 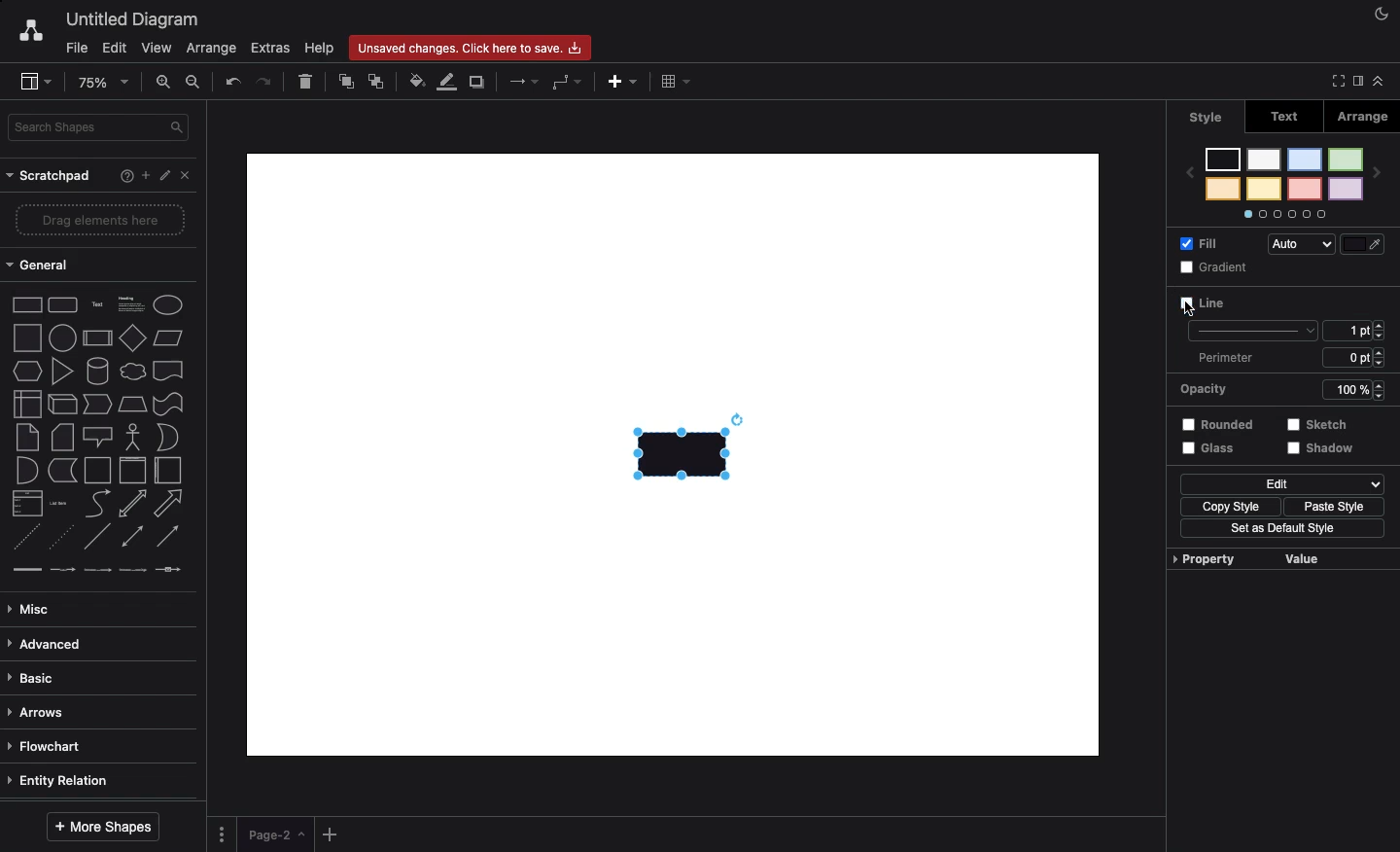 I want to click on Heading, so click(x=130, y=307).